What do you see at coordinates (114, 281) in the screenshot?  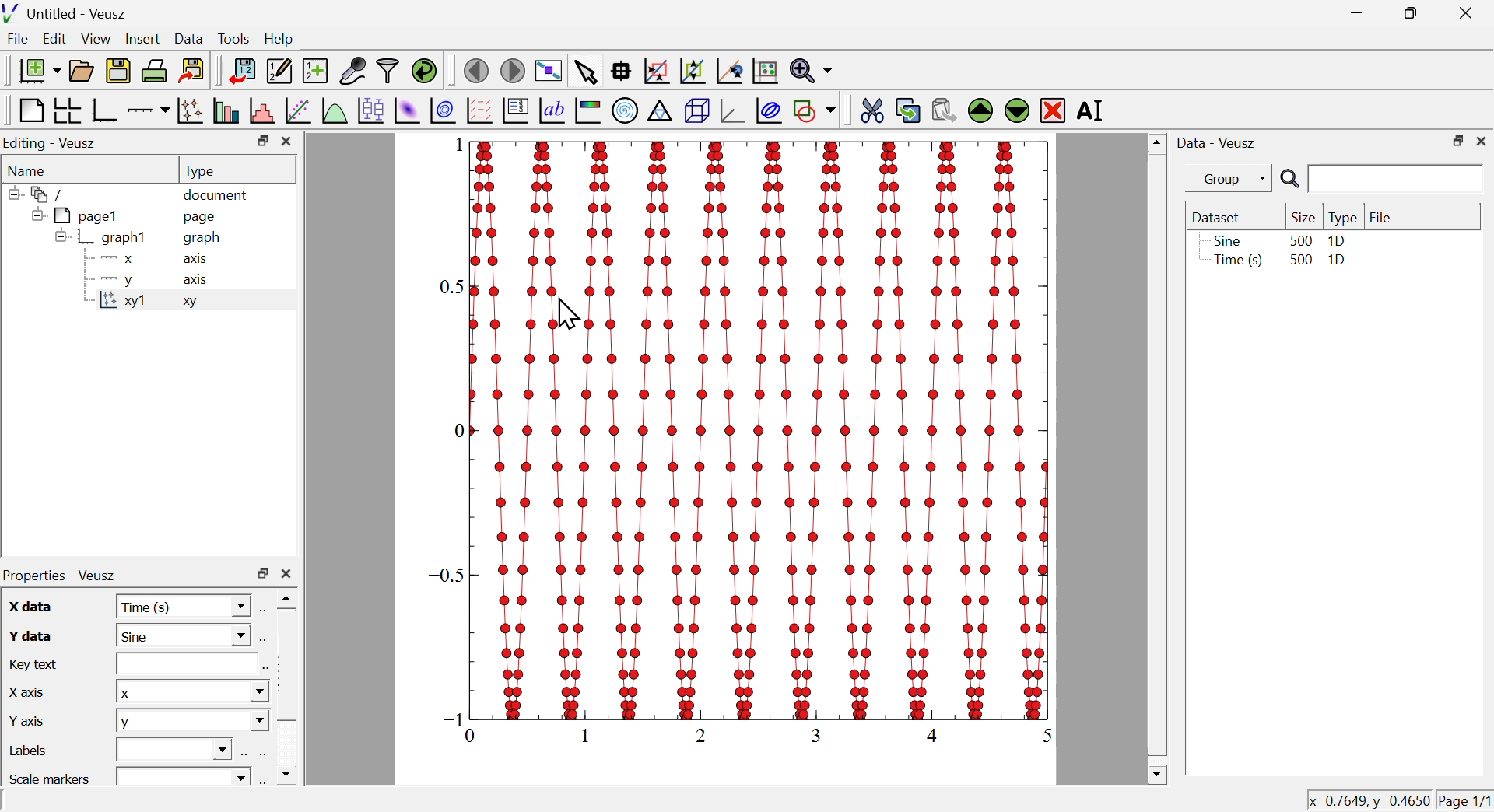 I see `y` at bounding box center [114, 281].